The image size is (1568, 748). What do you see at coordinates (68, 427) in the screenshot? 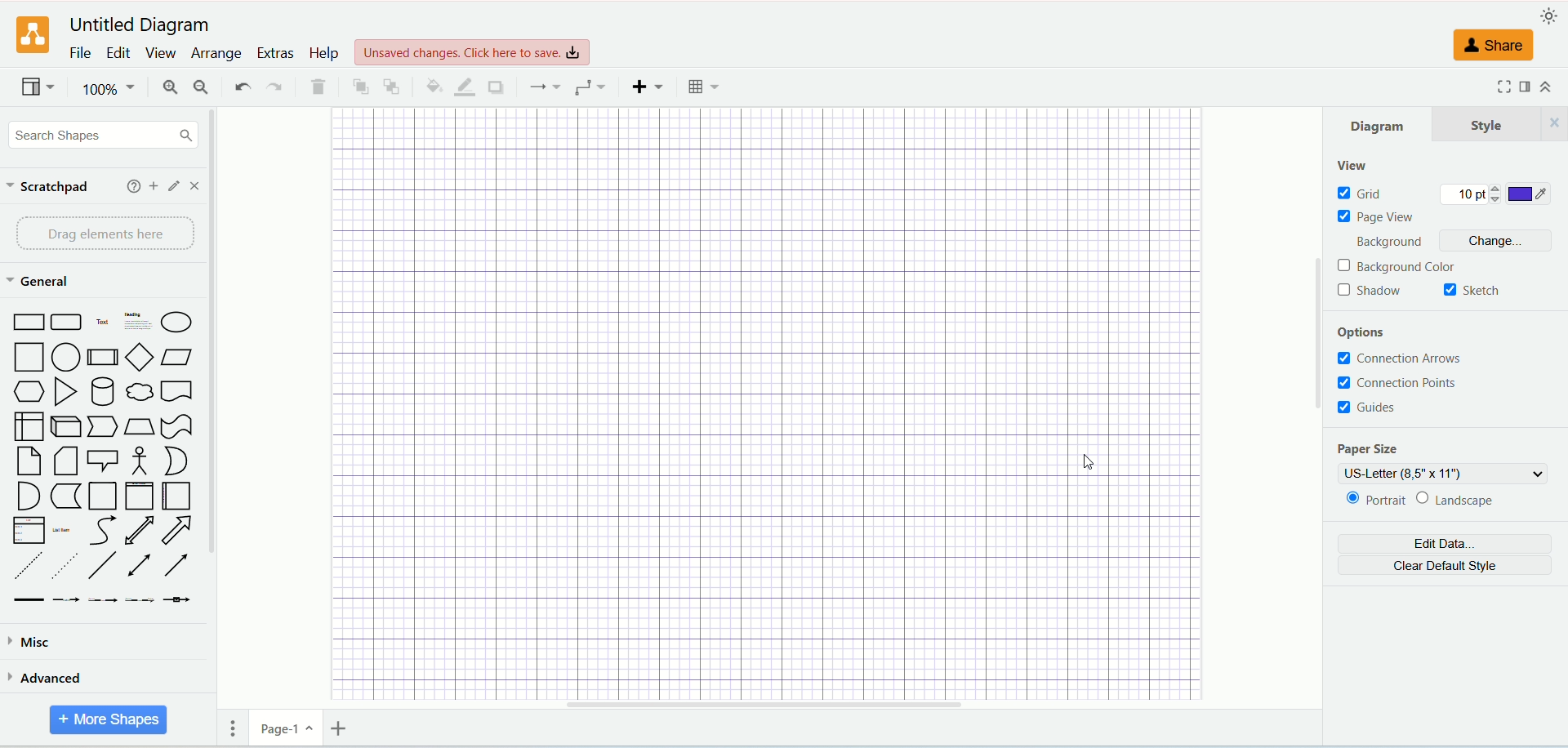
I see `Cube` at bounding box center [68, 427].